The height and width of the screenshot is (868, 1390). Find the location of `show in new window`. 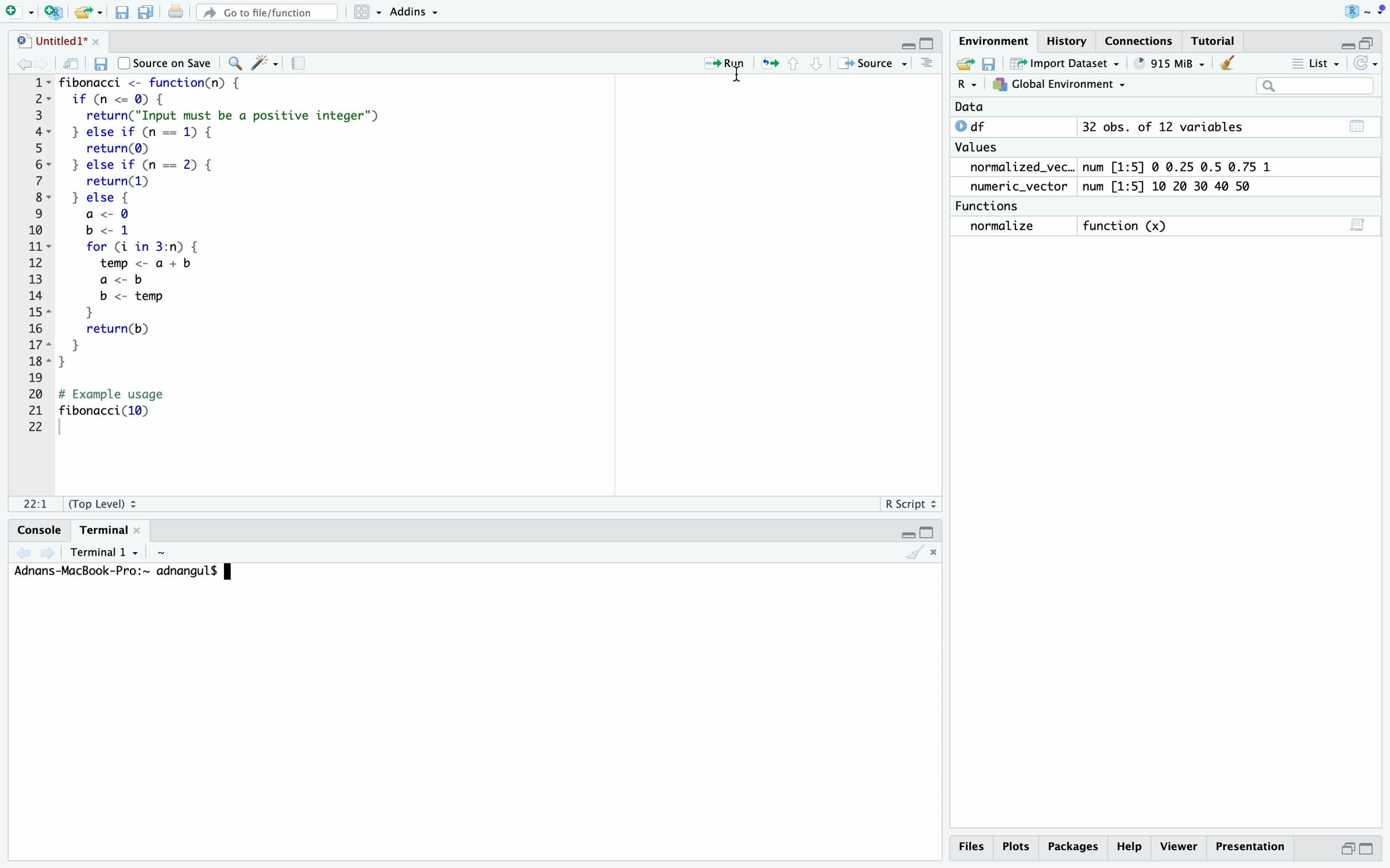

show in new window is located at coordinates (73, 66).